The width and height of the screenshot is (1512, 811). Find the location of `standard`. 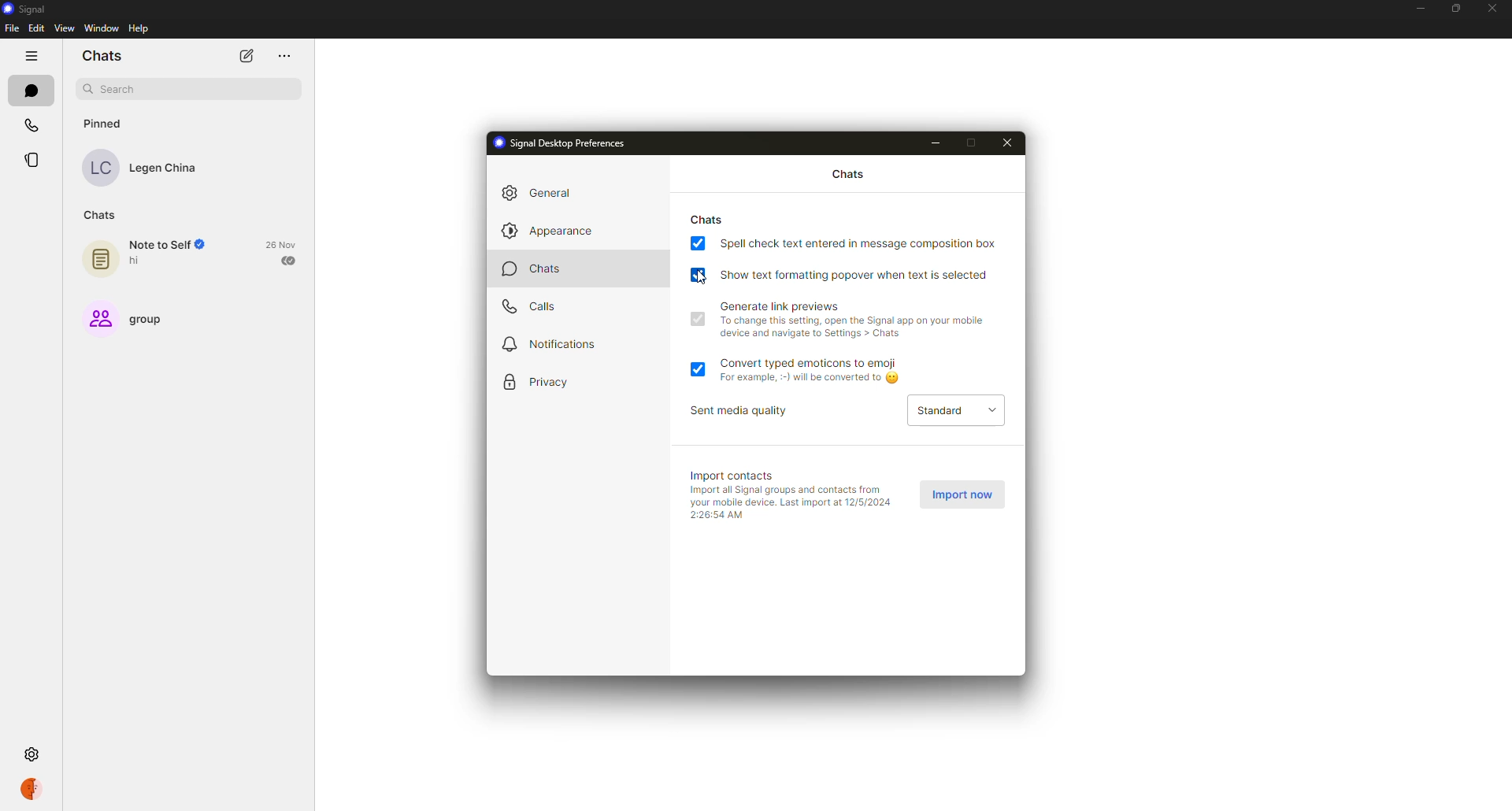

standard is located at coordinates (951, 410).